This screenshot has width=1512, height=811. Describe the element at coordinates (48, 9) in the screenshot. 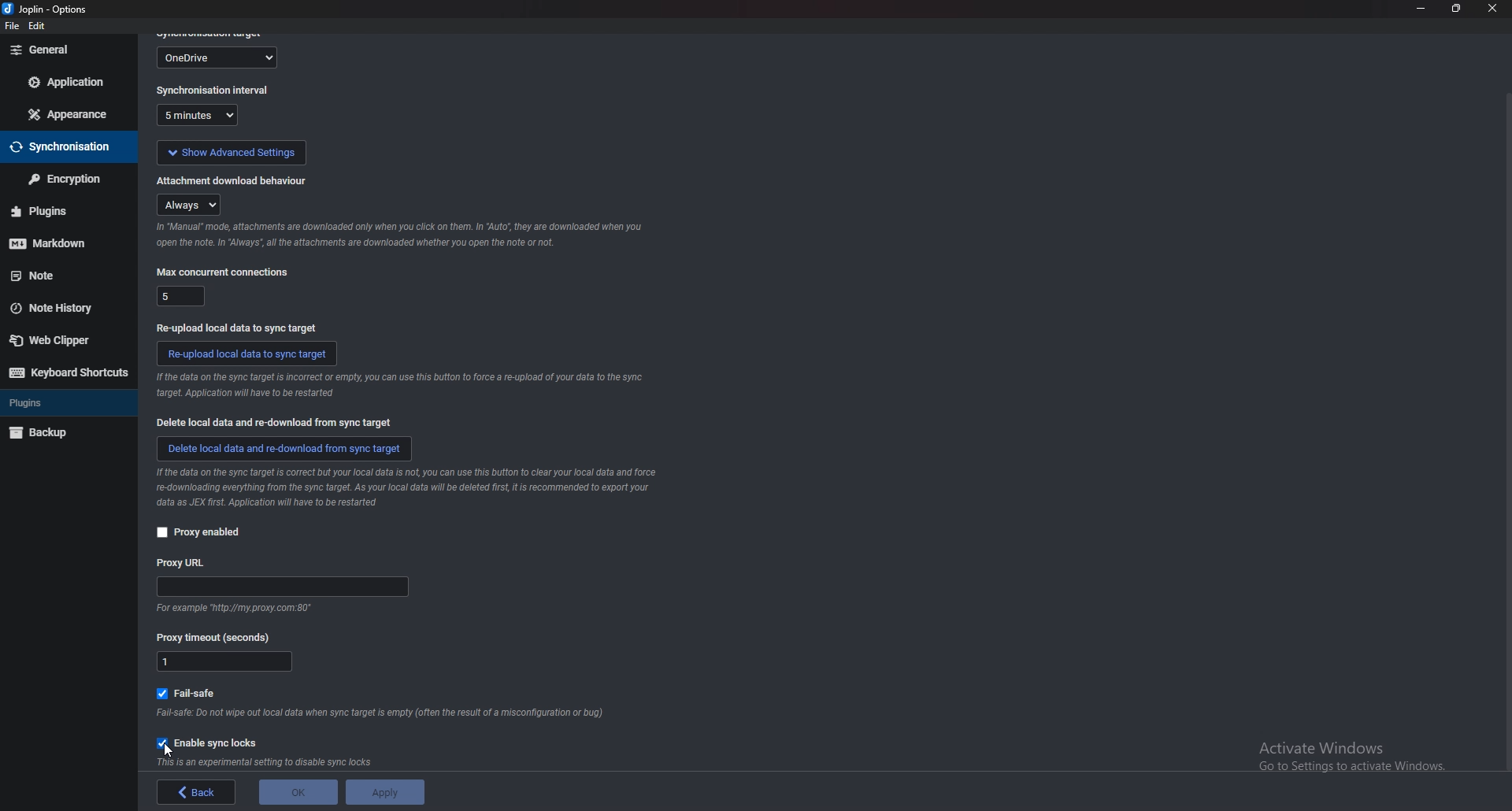

I see `options` at that location.